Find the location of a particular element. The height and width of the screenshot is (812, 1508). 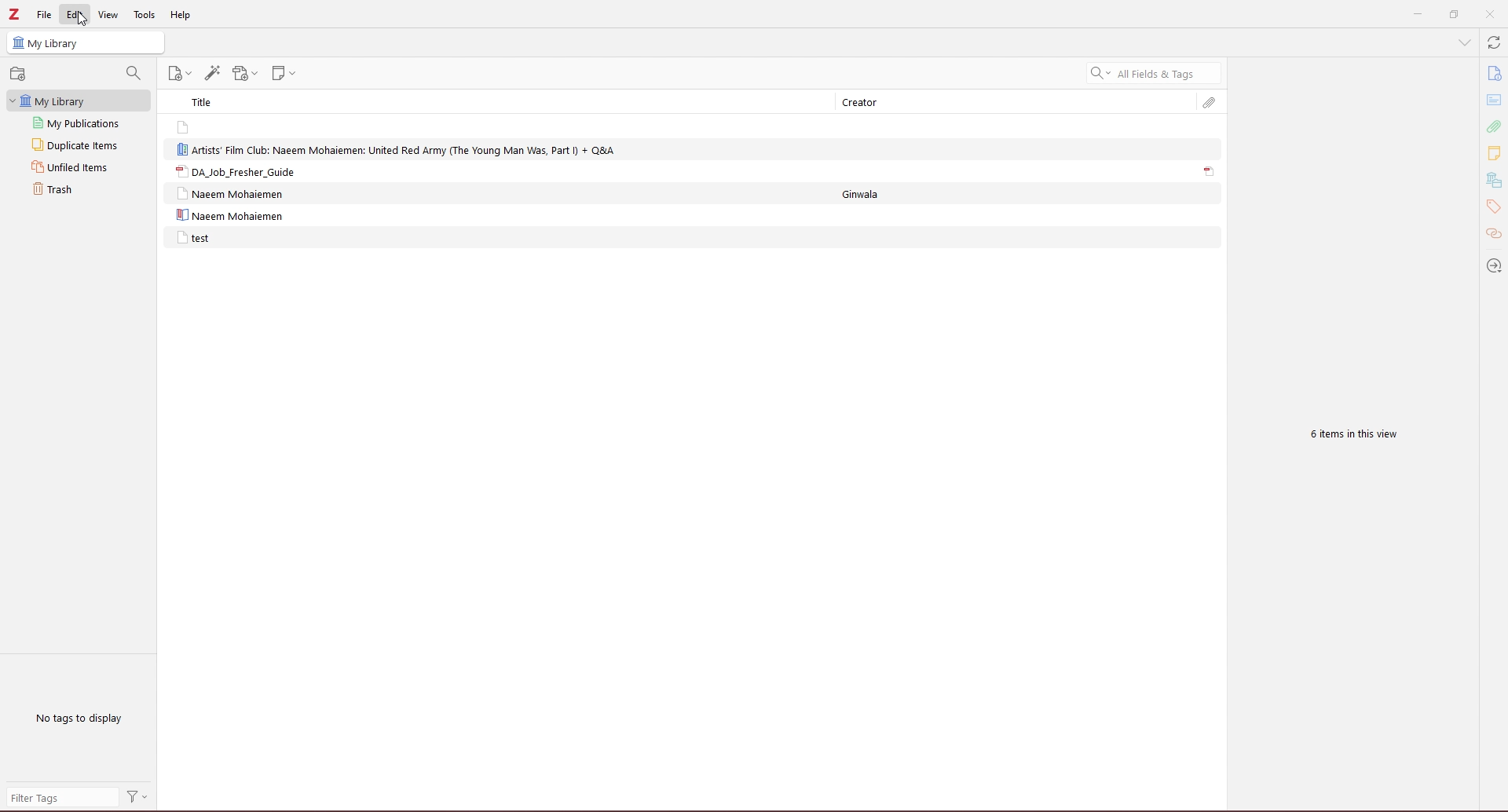

search bar is located at coordinates (1154, 73).